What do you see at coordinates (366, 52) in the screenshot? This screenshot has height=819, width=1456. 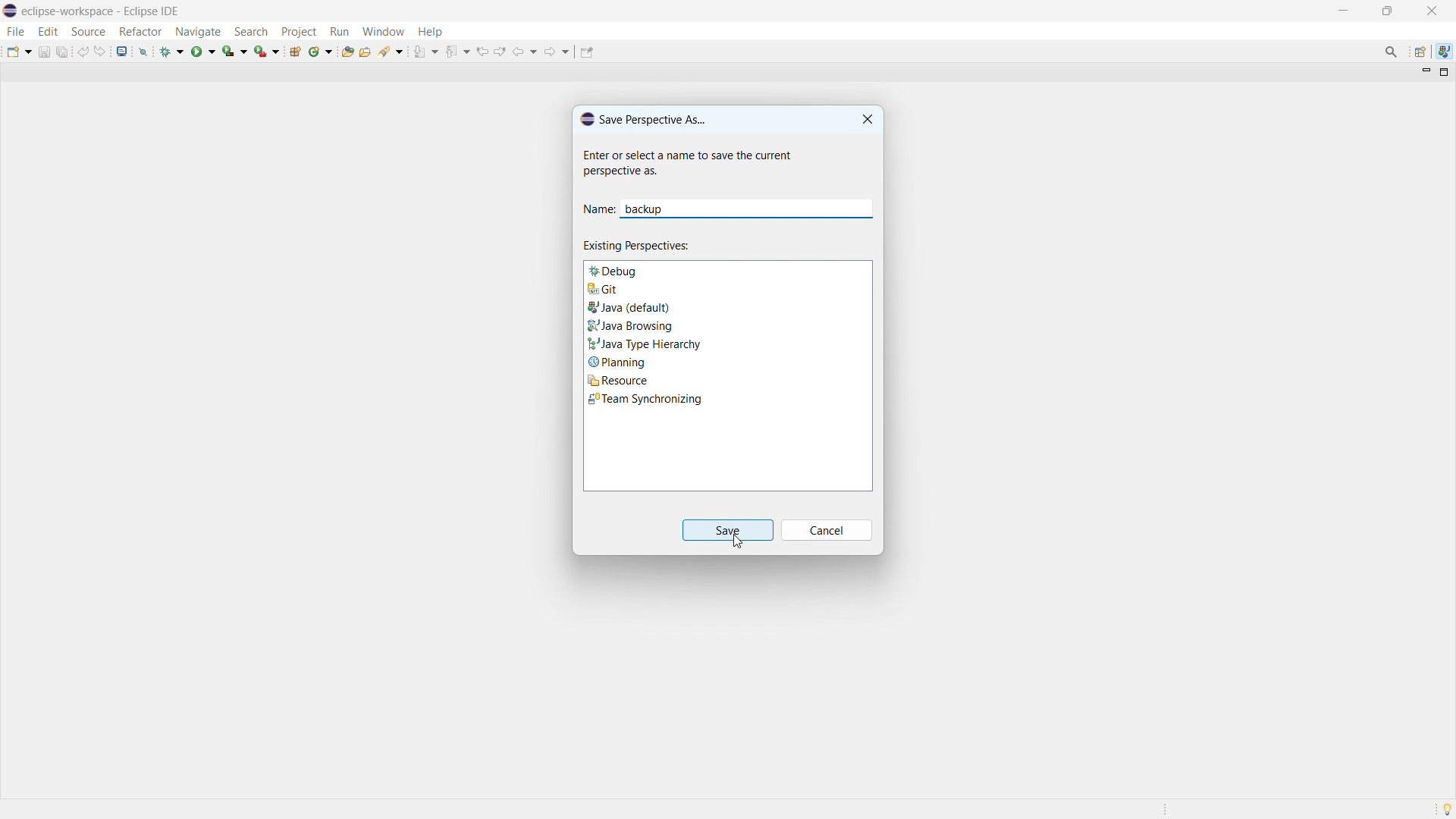 I see `open task` at bounding box center [366, 52].